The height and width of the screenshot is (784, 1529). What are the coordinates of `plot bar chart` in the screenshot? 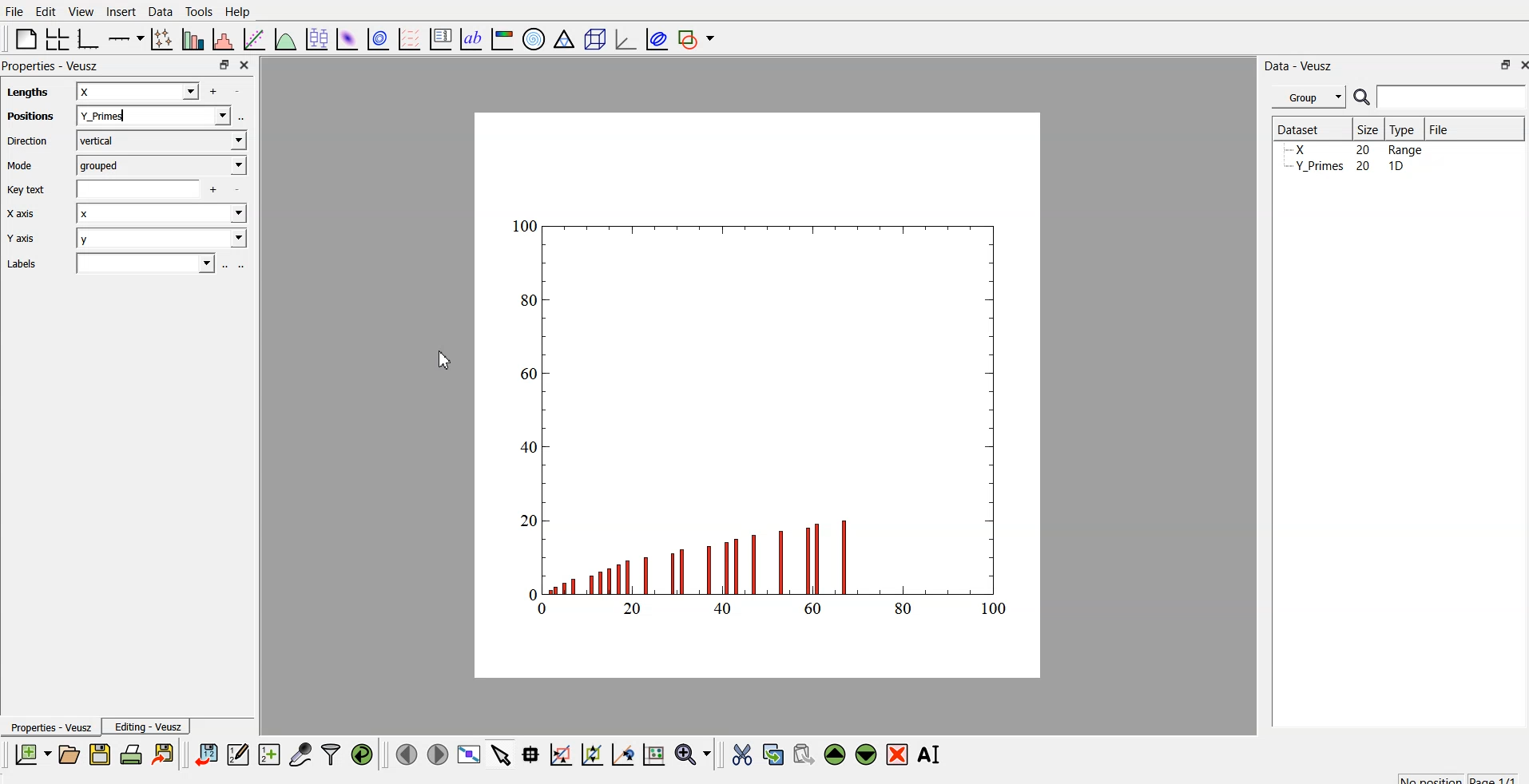 It's located at (191, 41).